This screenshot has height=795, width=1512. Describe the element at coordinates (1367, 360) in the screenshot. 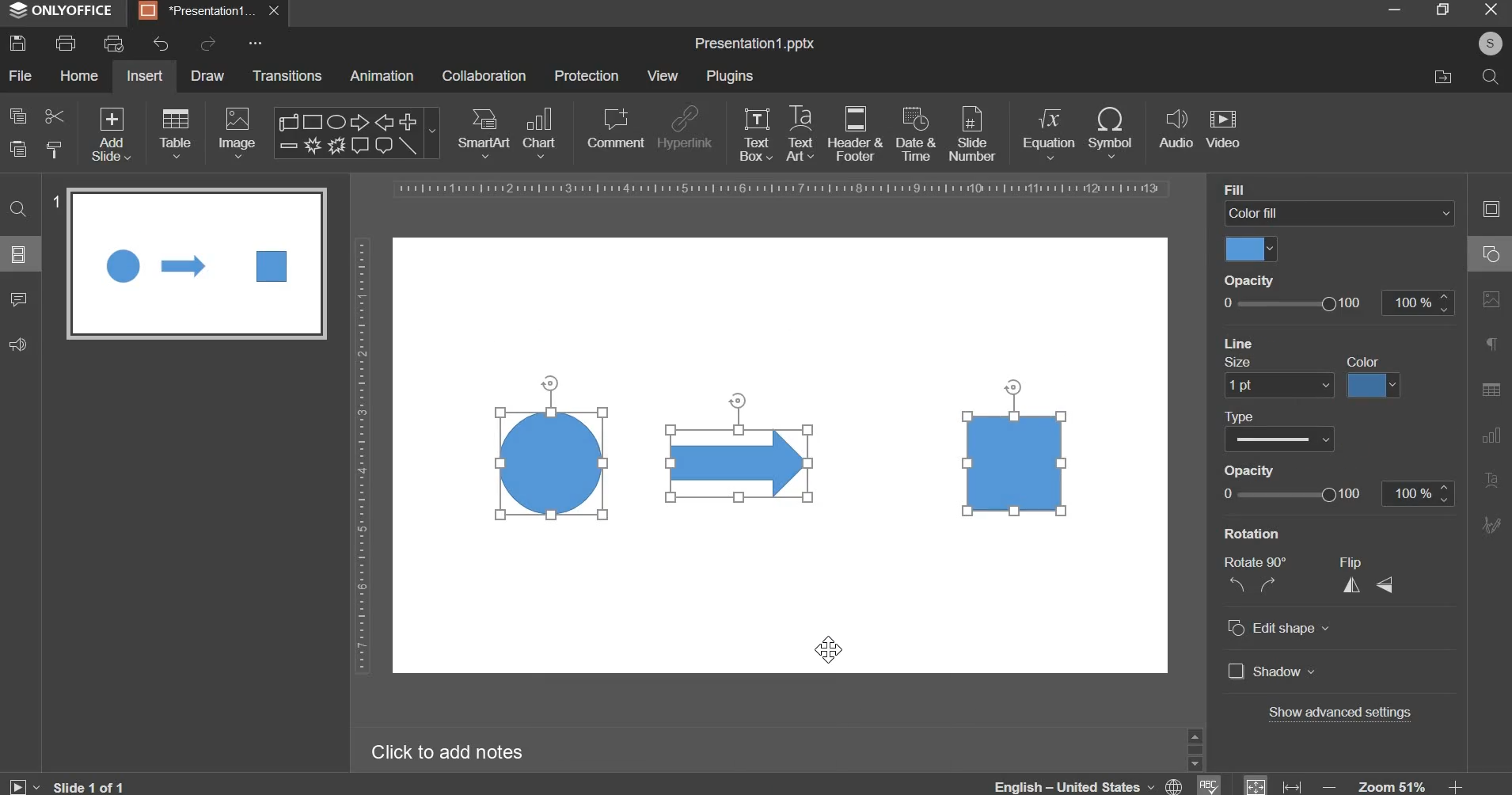

I see `color` at that location.